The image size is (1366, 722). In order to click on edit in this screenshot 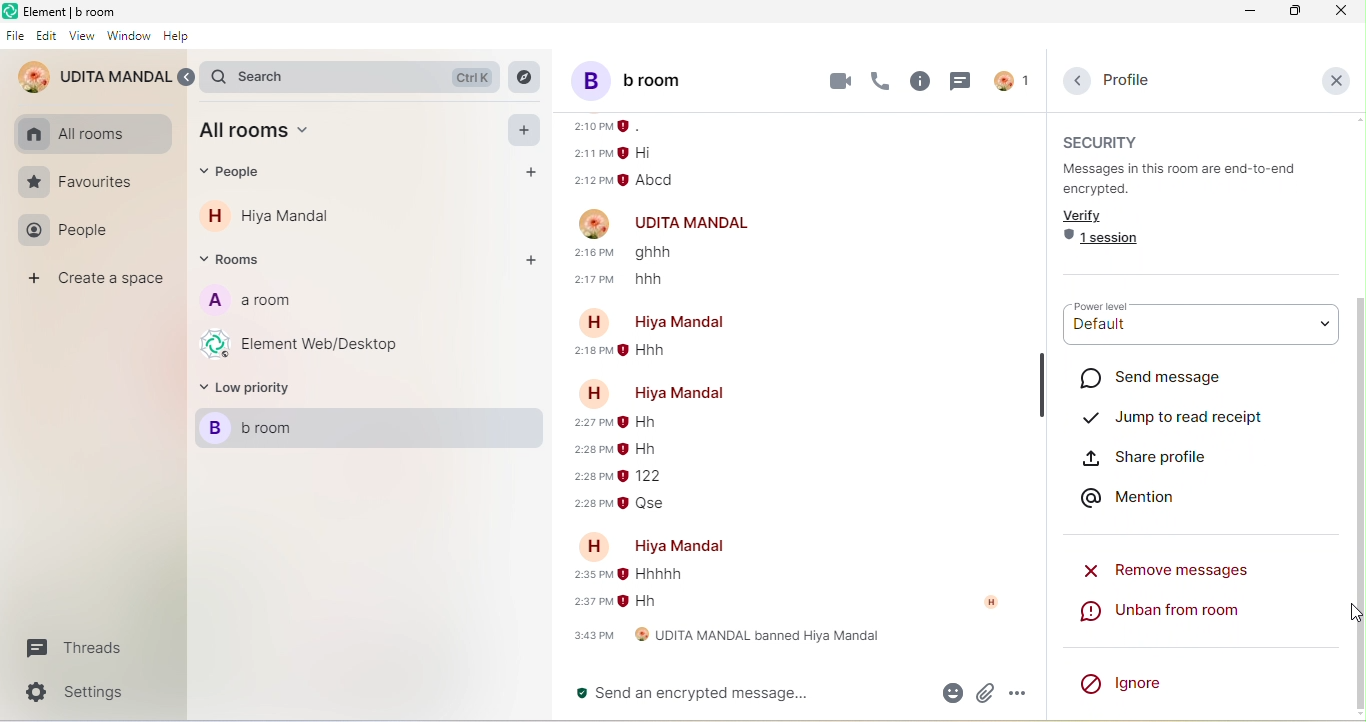, I will do `click(47, 36)`.